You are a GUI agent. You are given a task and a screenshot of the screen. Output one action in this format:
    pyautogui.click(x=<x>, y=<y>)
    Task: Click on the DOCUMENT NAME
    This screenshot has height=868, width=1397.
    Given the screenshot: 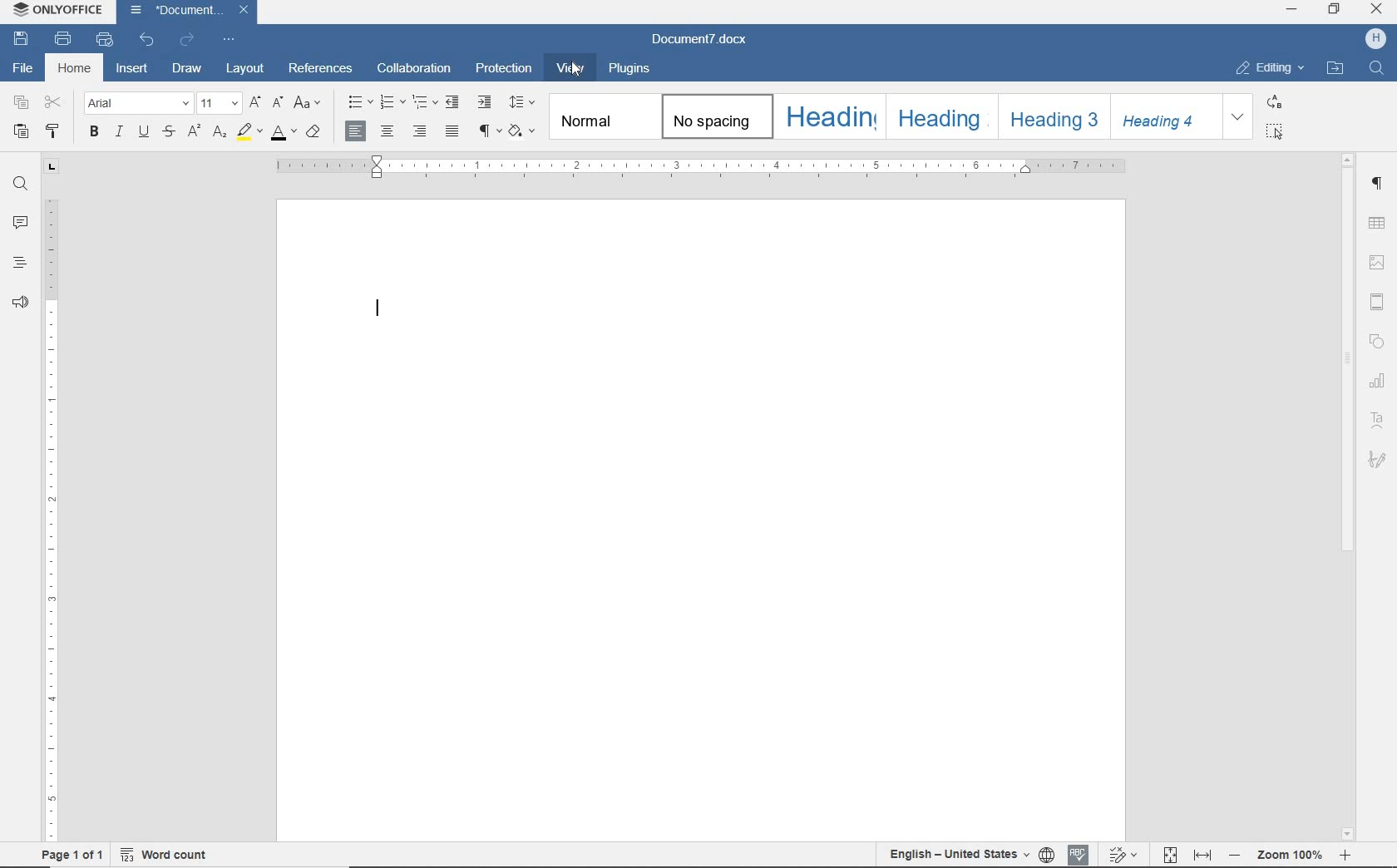 What is the action you would take?
    pyautogui.click(x=699, y=38)
    